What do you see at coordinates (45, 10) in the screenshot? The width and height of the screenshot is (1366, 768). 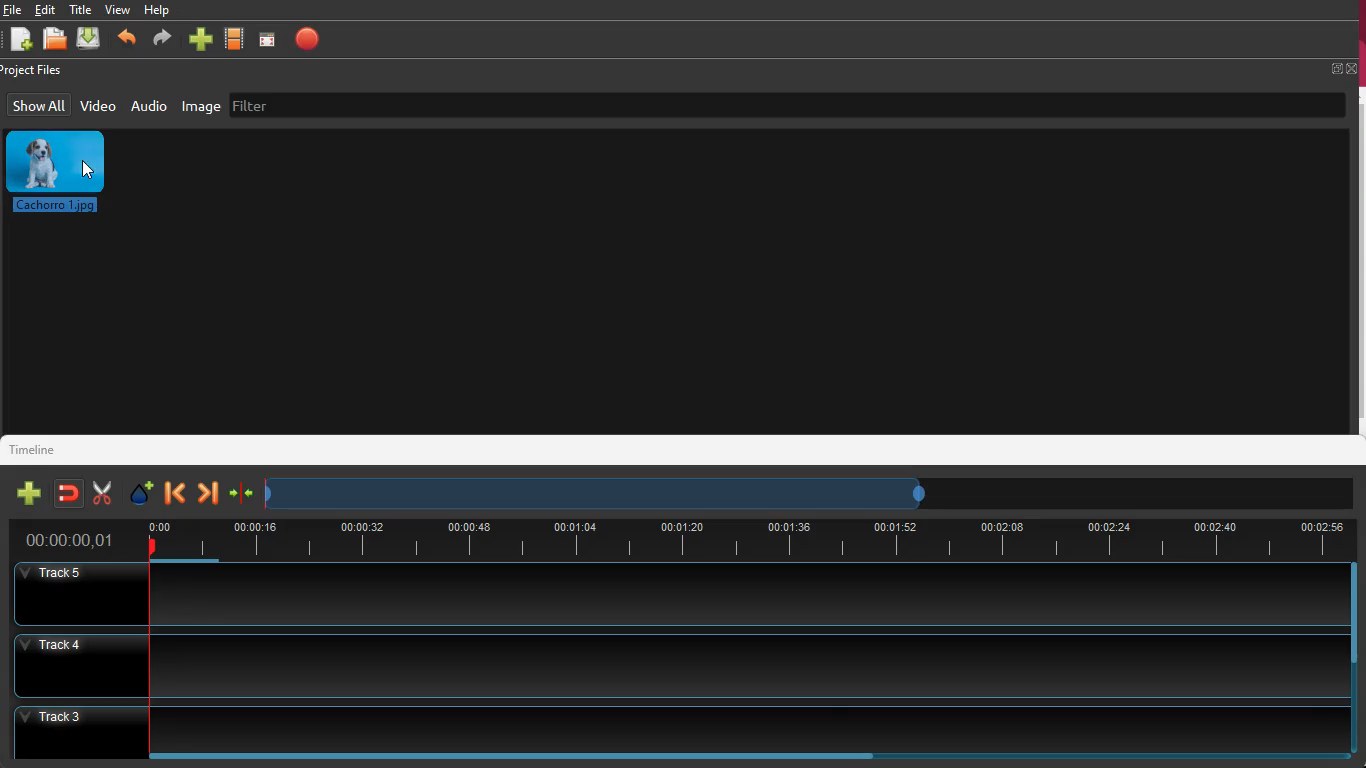 I see `edit` at bounding box center [45, 10].